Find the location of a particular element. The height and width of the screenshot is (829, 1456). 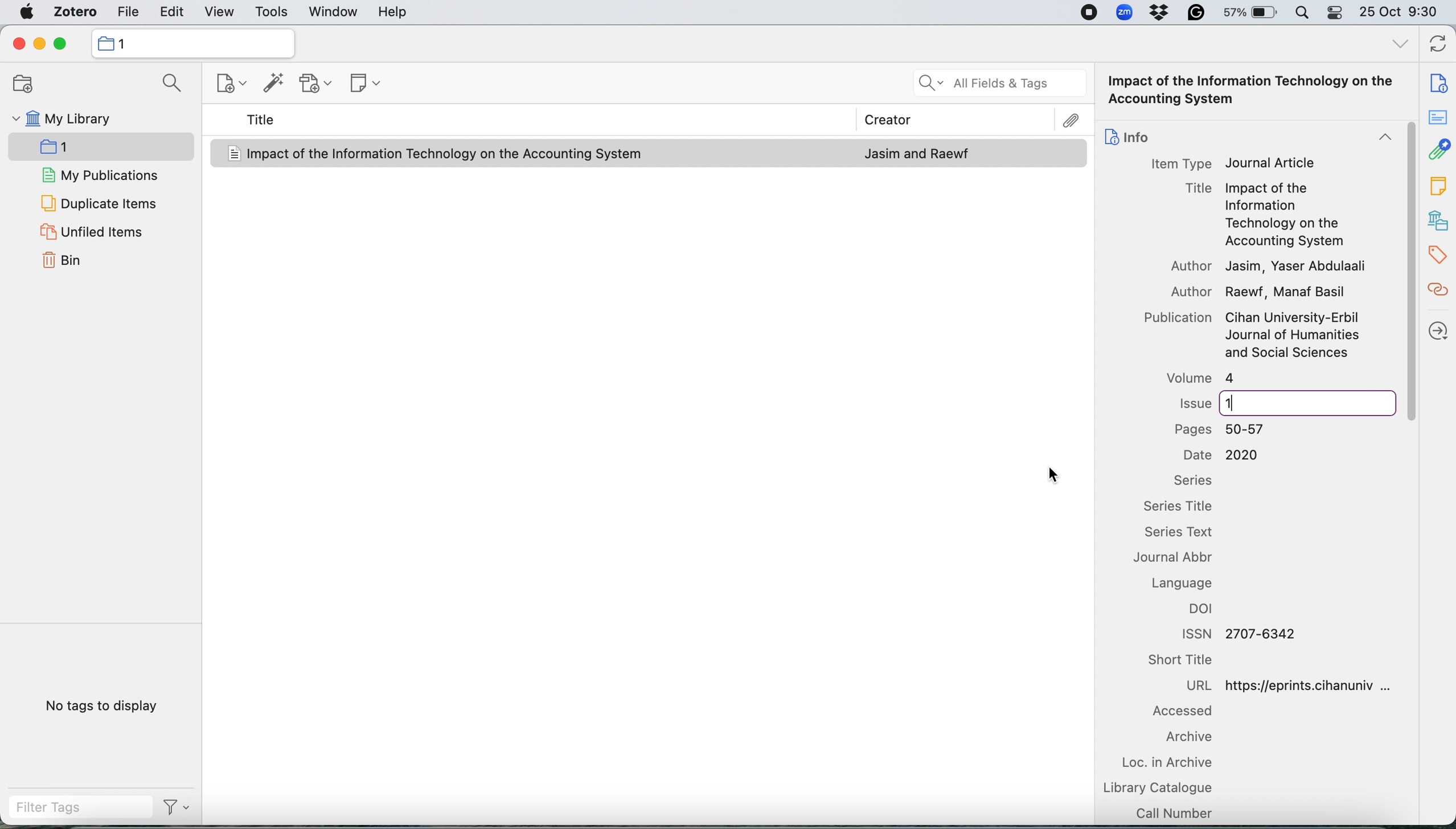

edit is located at coordinates (170, 10).